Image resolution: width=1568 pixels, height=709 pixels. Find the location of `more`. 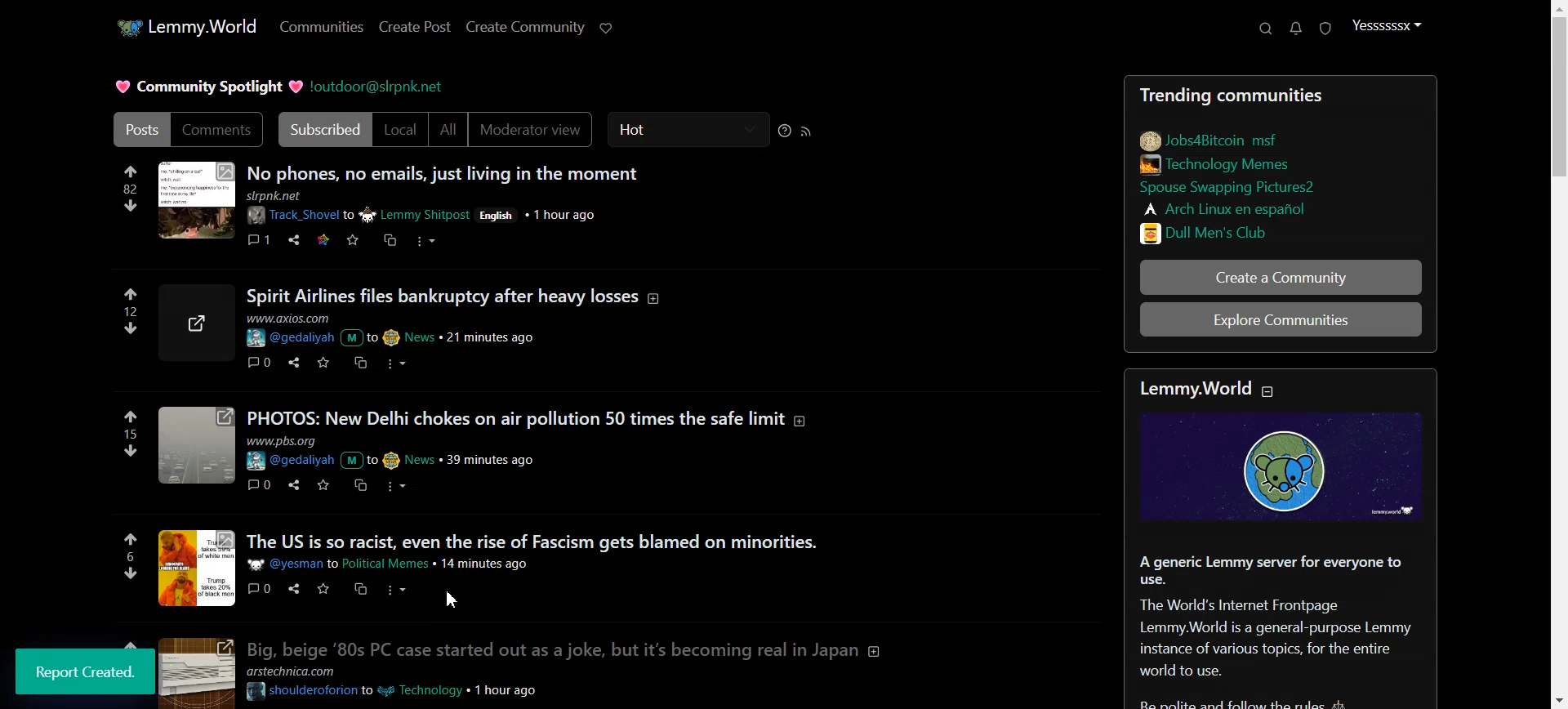

more is located at coordinates (428, 243).